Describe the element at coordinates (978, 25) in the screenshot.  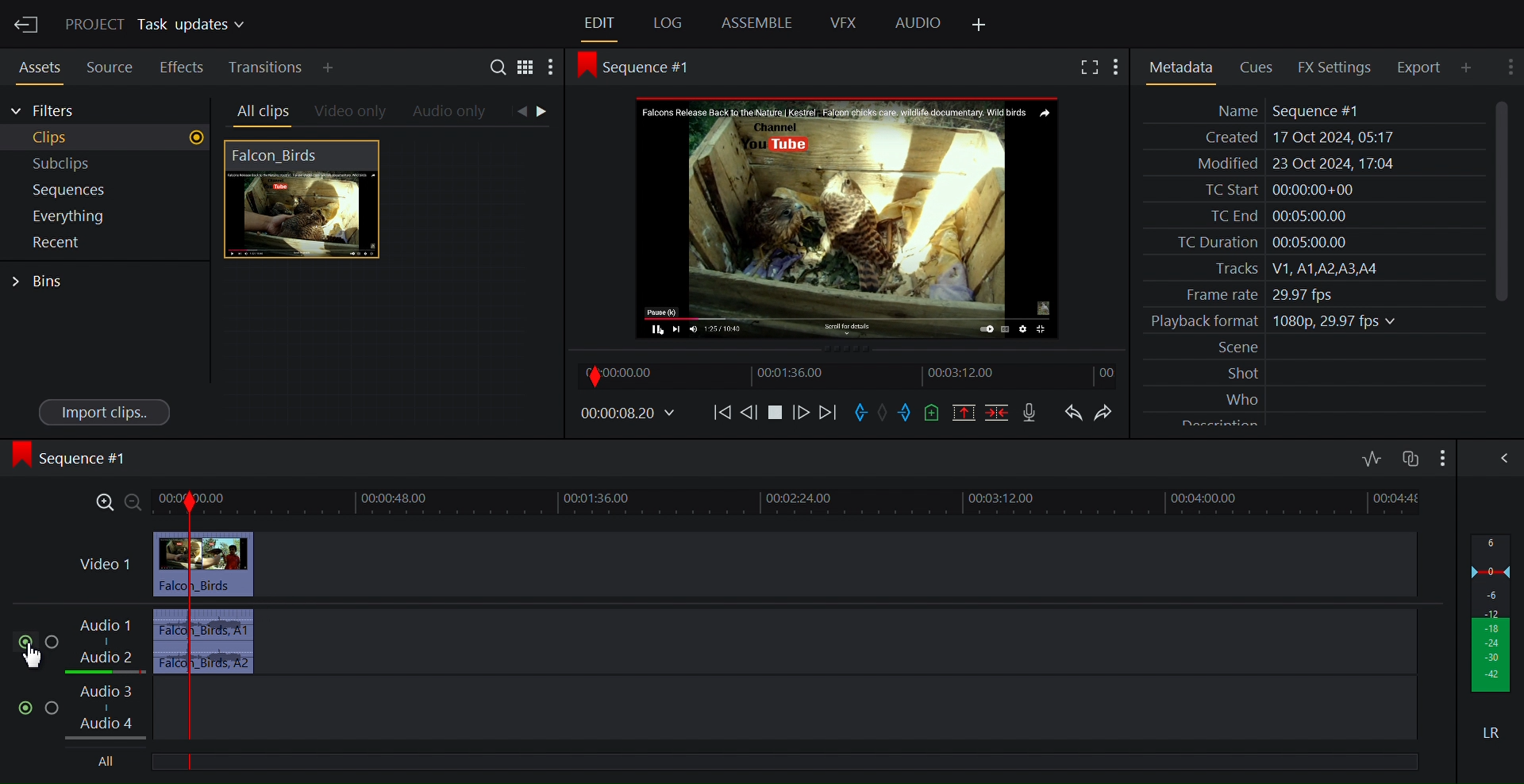
I see `Add Panel` at that location.